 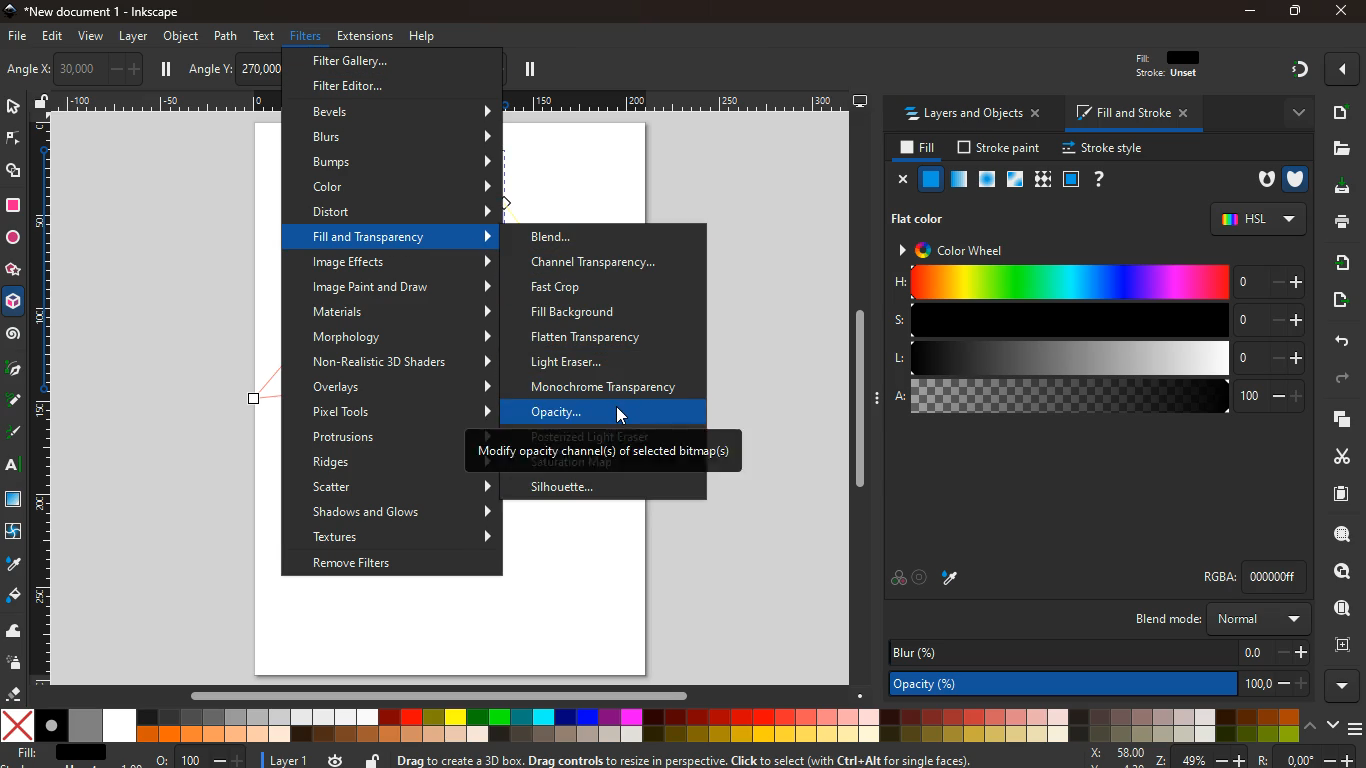 What do you see at coordinates (12, 237) in the screenshot?
I see `circle` at bounding box center [12, 237].